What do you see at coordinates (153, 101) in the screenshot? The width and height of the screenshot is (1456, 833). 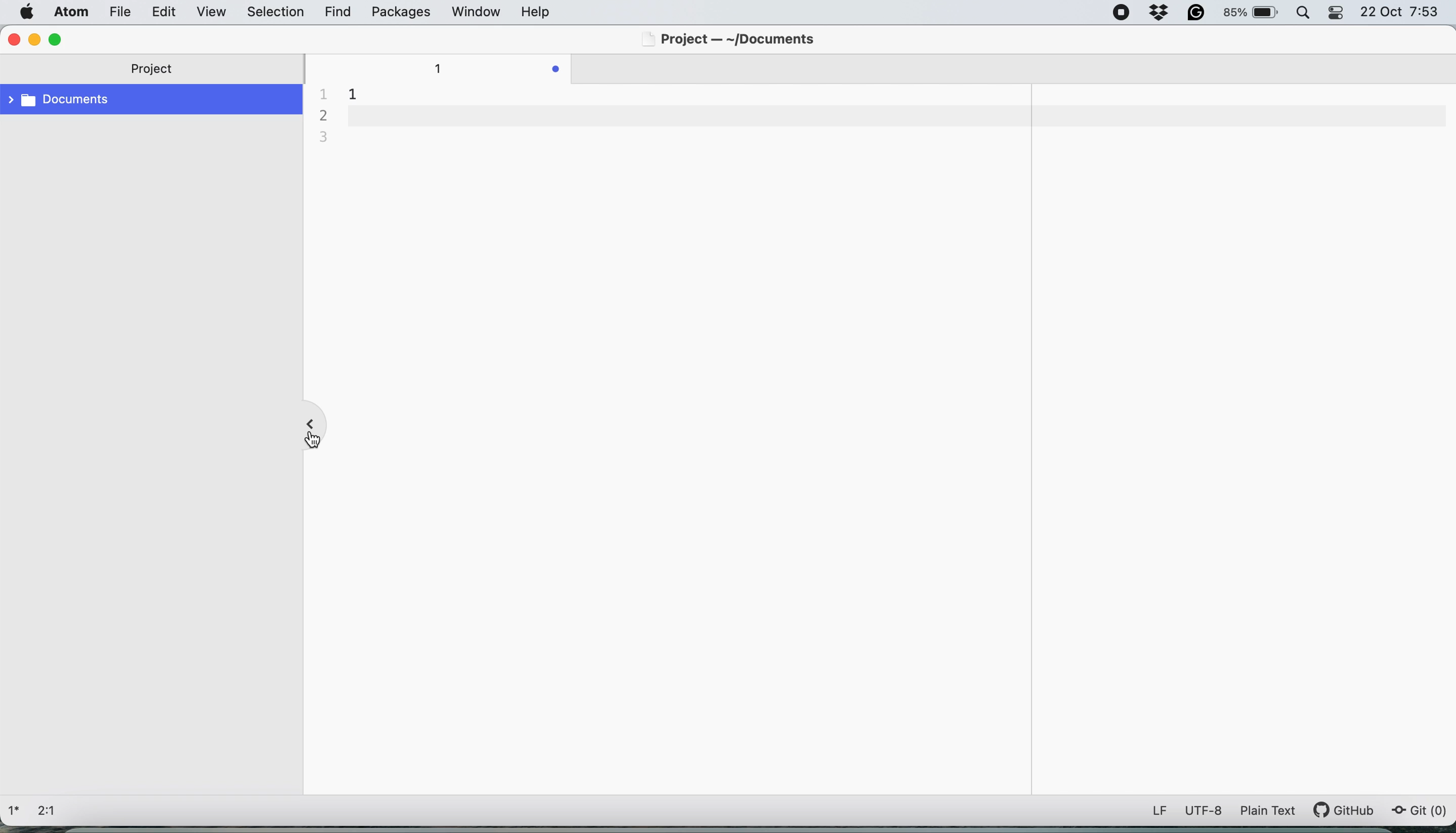 I see `documents` at bounding box center [153, 101].